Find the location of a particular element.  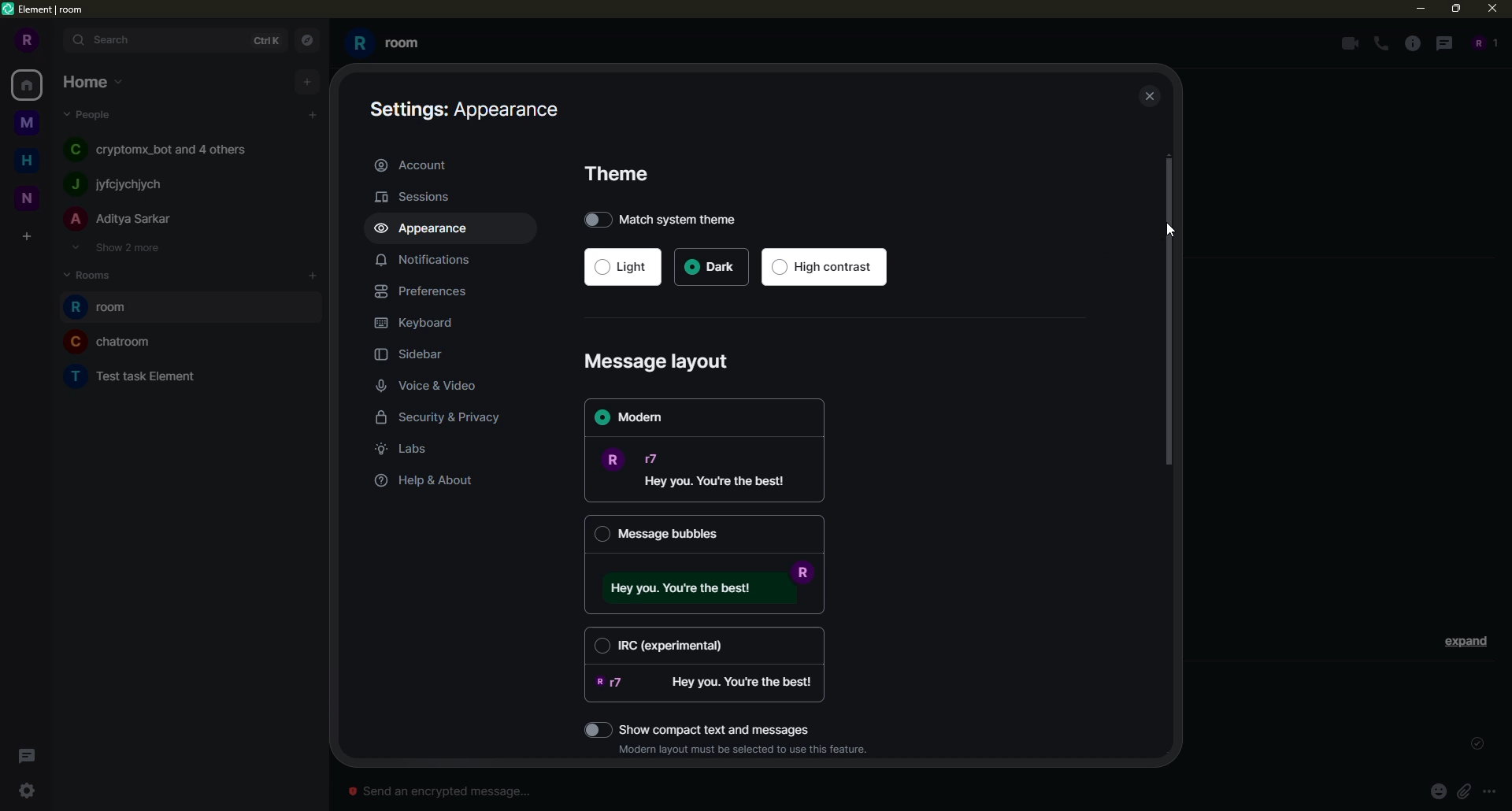

notifications is located at coordinates (422, 259).